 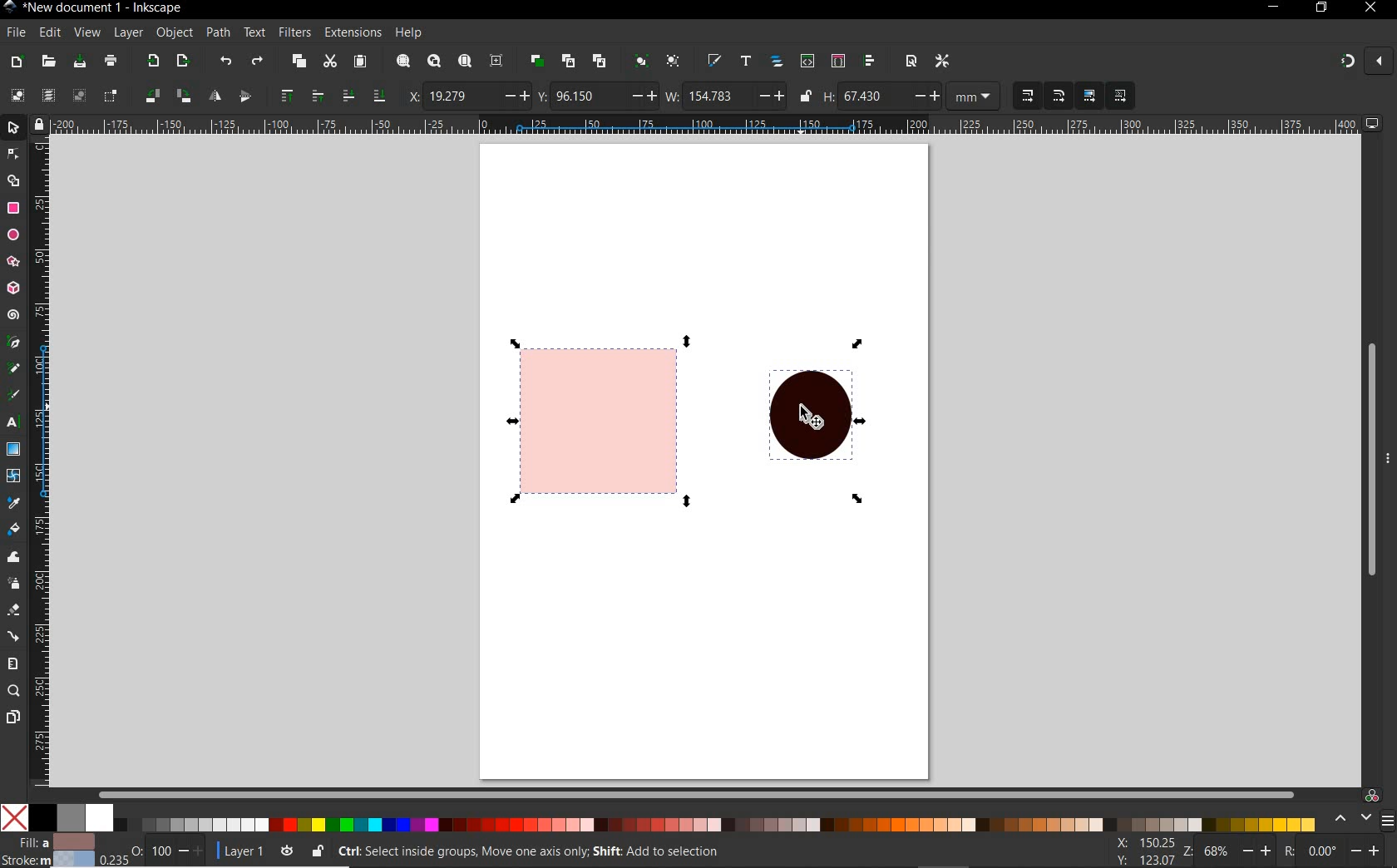 What do you see at coordinates (111, 96) in the screenshot?
I see `toggle selection box` at bounding box center [111, 96].